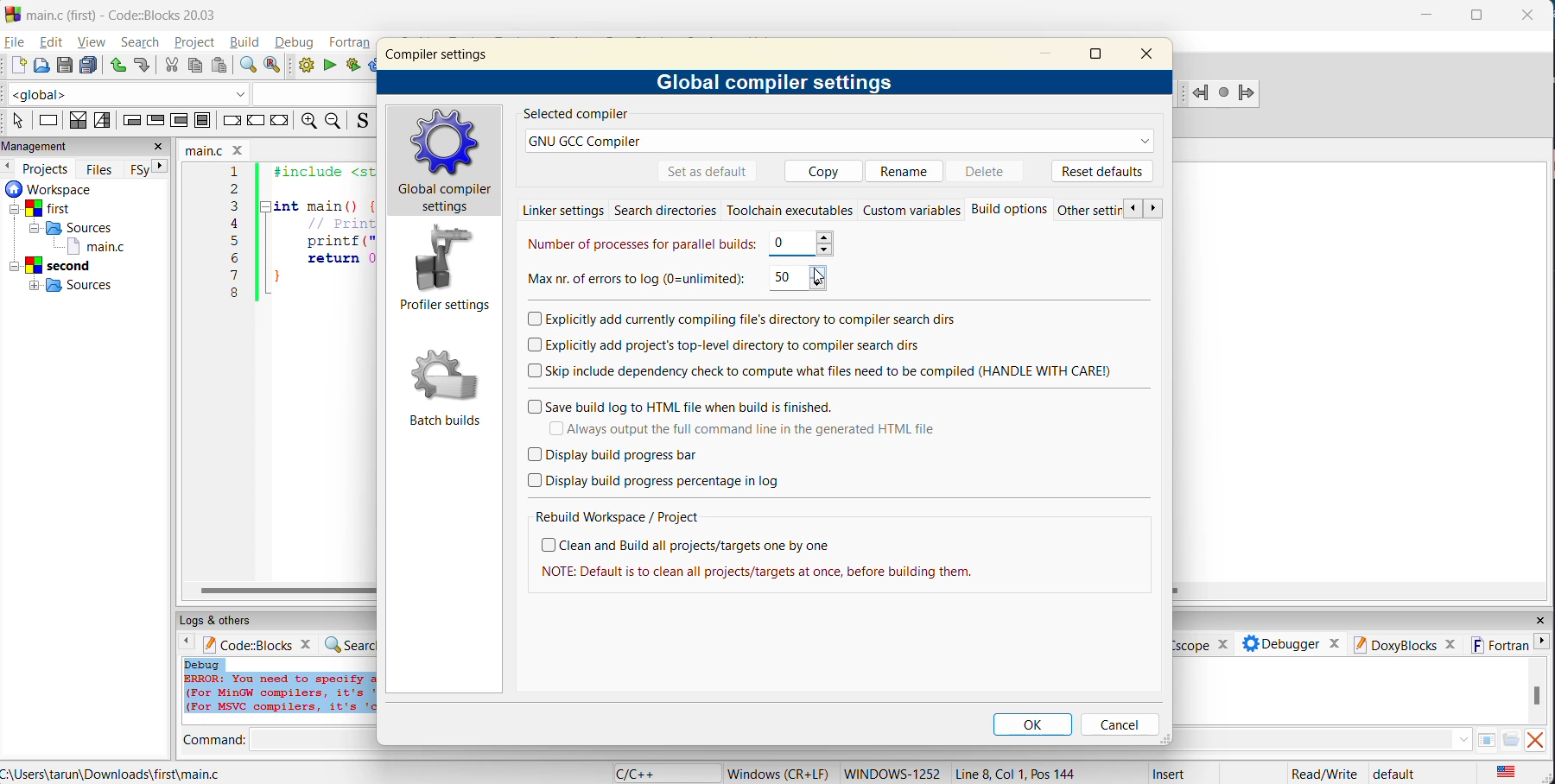 The width and height of the screenshot is (1555, 784). I want to click on Windows (CR+LF), so click(777, 773).